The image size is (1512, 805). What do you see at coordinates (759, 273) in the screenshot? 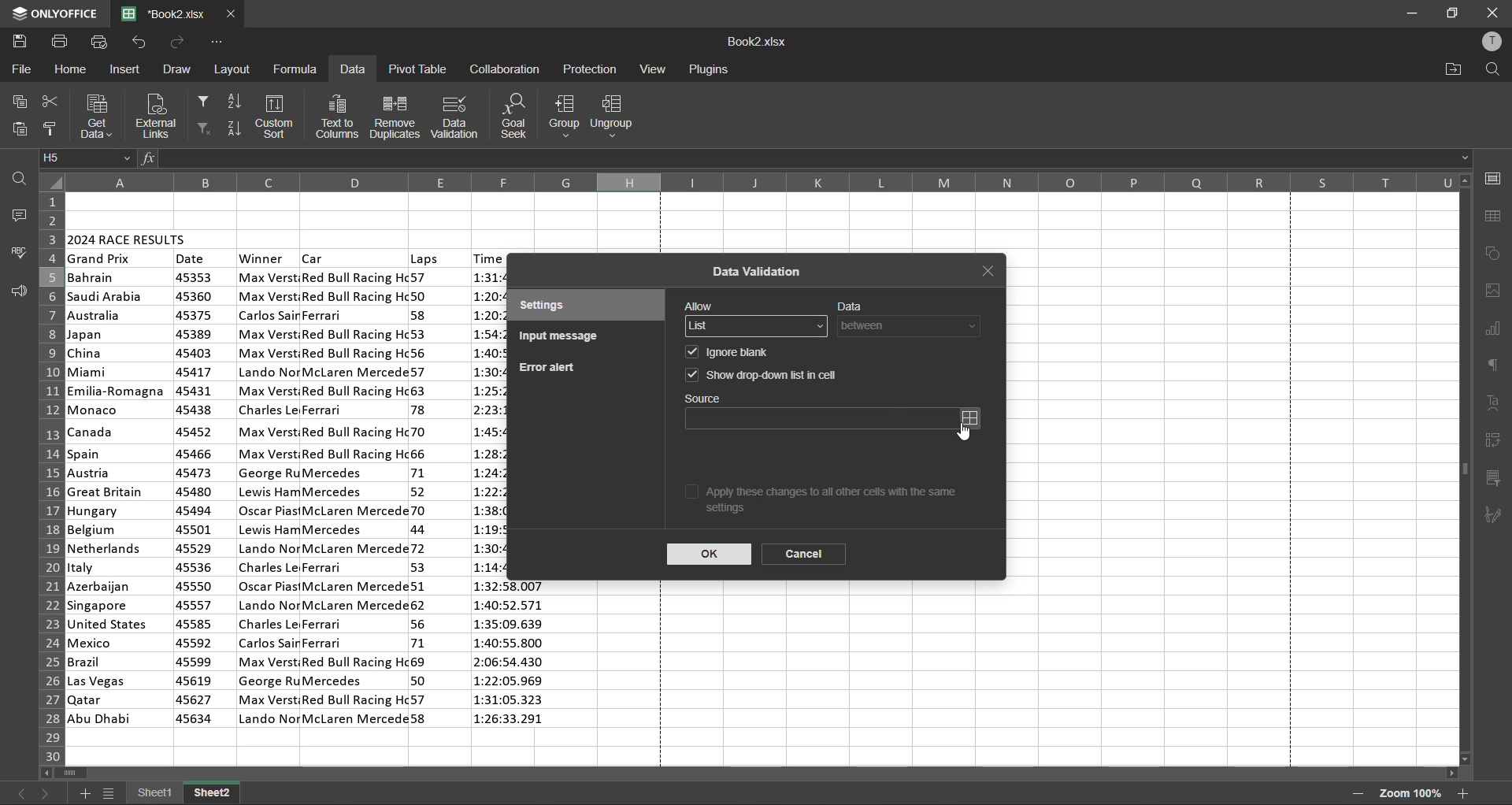
I see `data validation` at bounding box center [759, 273].